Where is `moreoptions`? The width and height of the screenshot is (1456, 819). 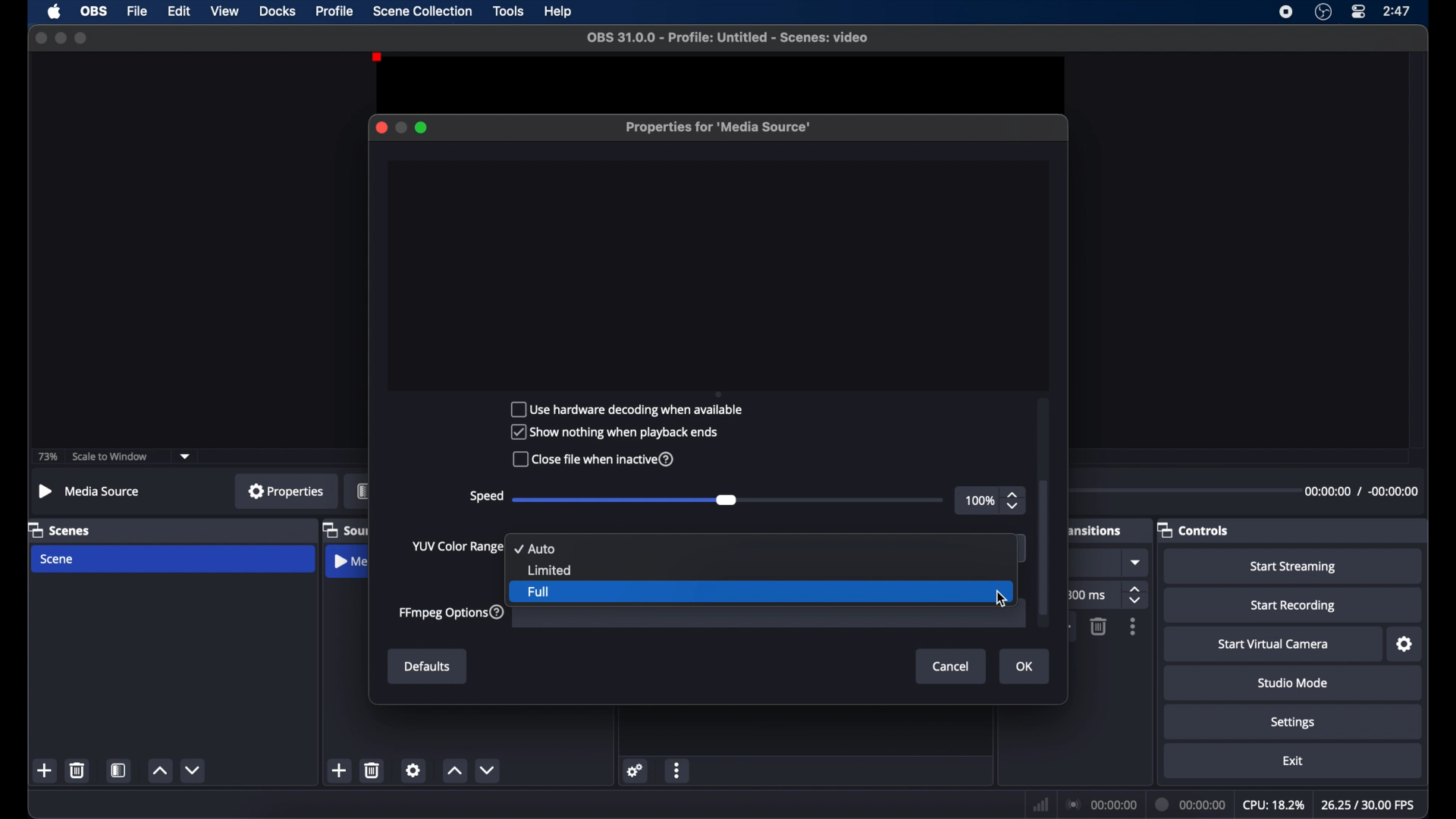 moreoptions is located at coordinates (1133, 626).